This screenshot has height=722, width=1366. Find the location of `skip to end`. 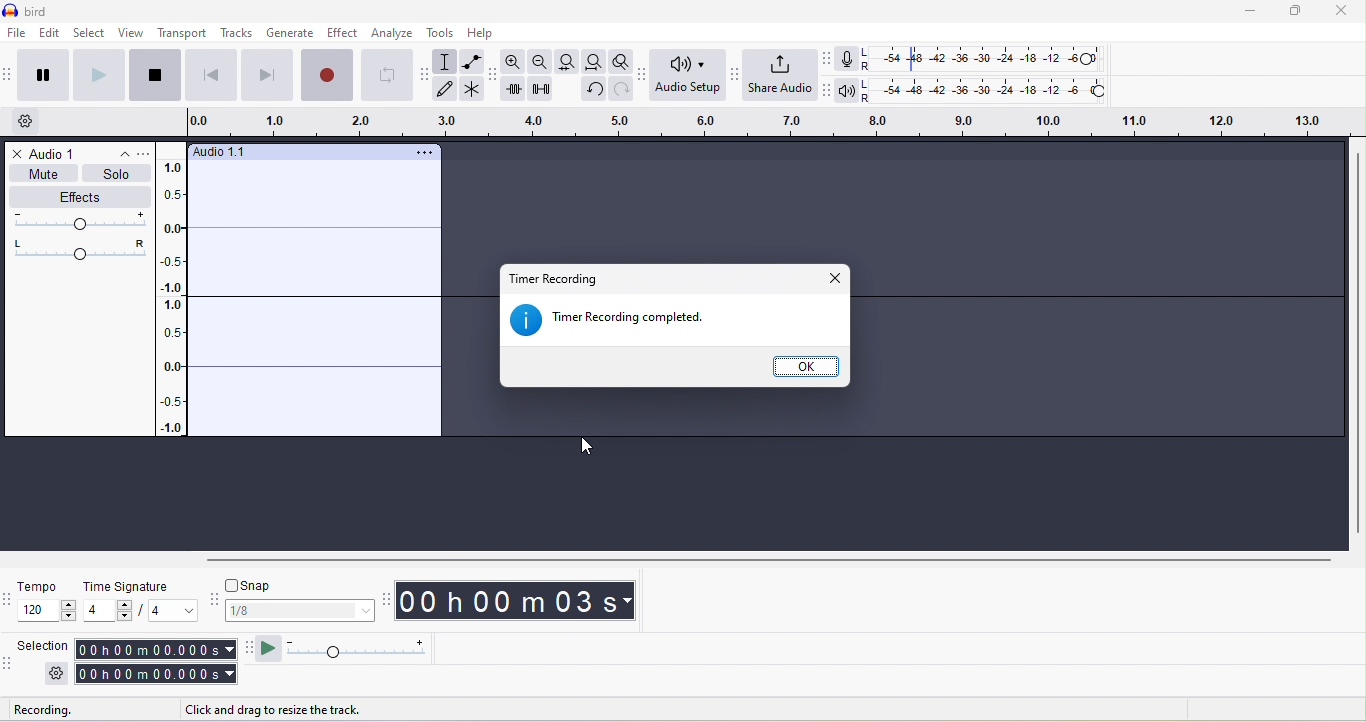

skip to end is located at coordinates (266, 75).